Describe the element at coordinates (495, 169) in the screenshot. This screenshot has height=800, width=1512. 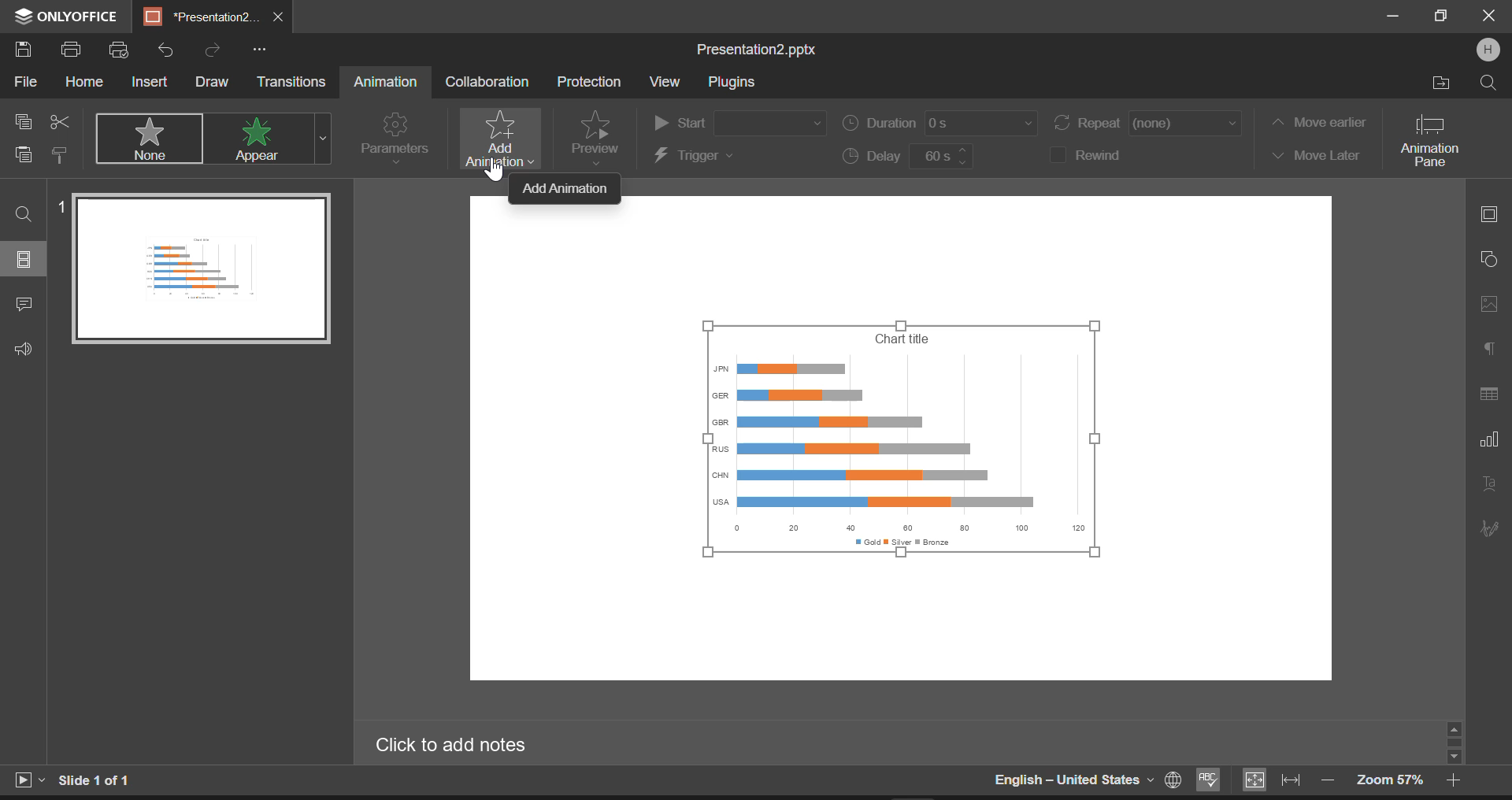
I see `Cursor on Add Animation` at that location.